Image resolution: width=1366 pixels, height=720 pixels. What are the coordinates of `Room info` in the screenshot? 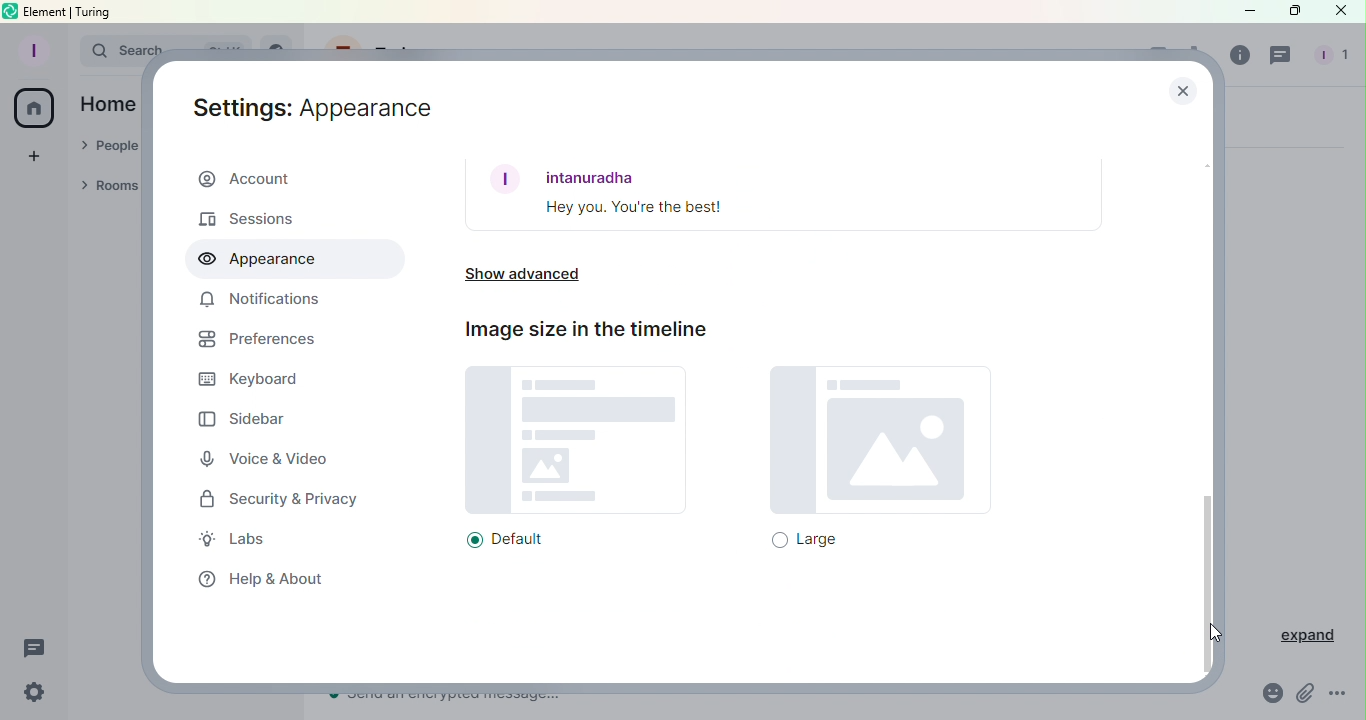 It's located at (1235, 55).